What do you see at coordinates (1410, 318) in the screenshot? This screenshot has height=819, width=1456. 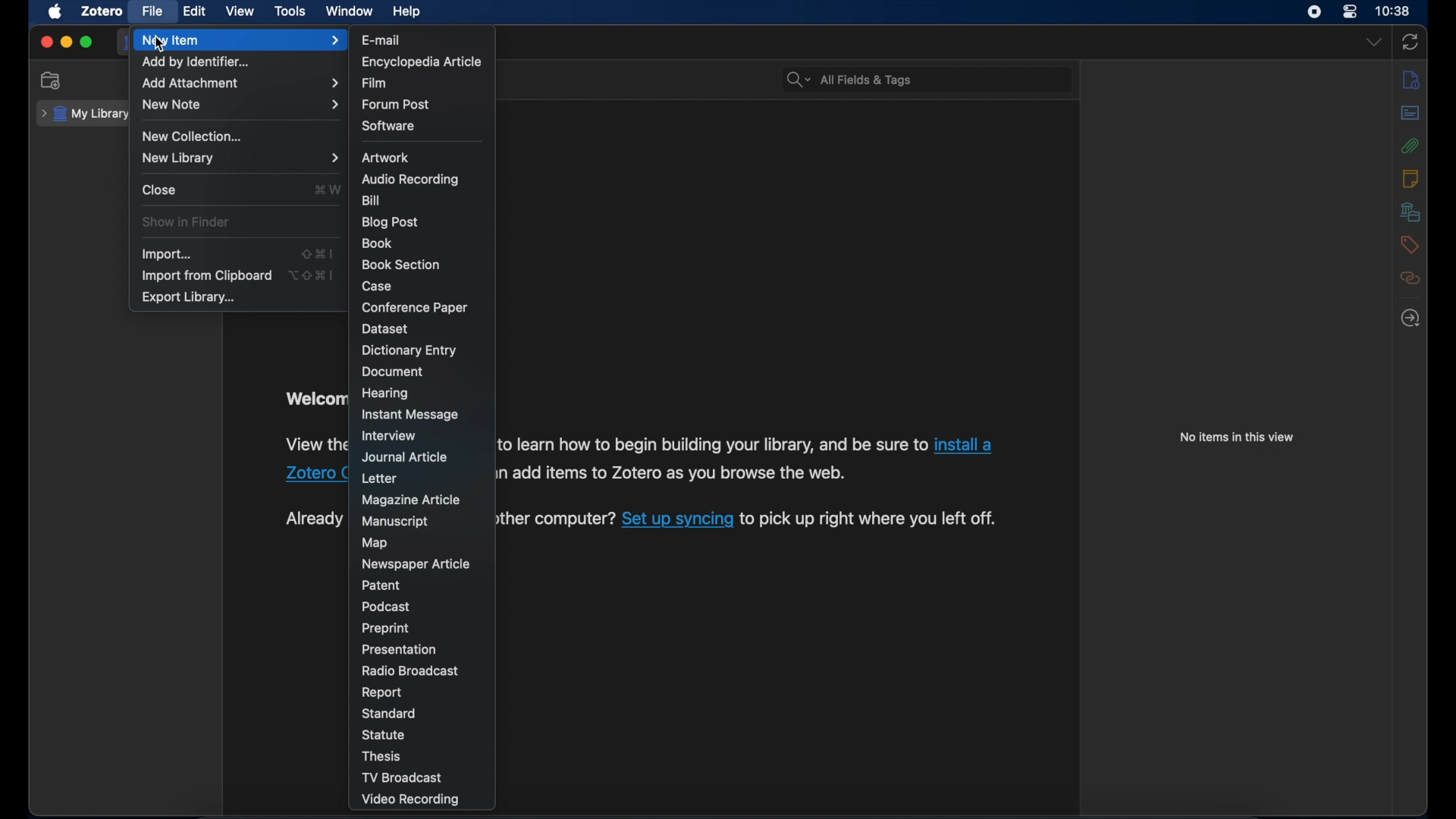 I see `locate` at bounding box center [1410, 318].